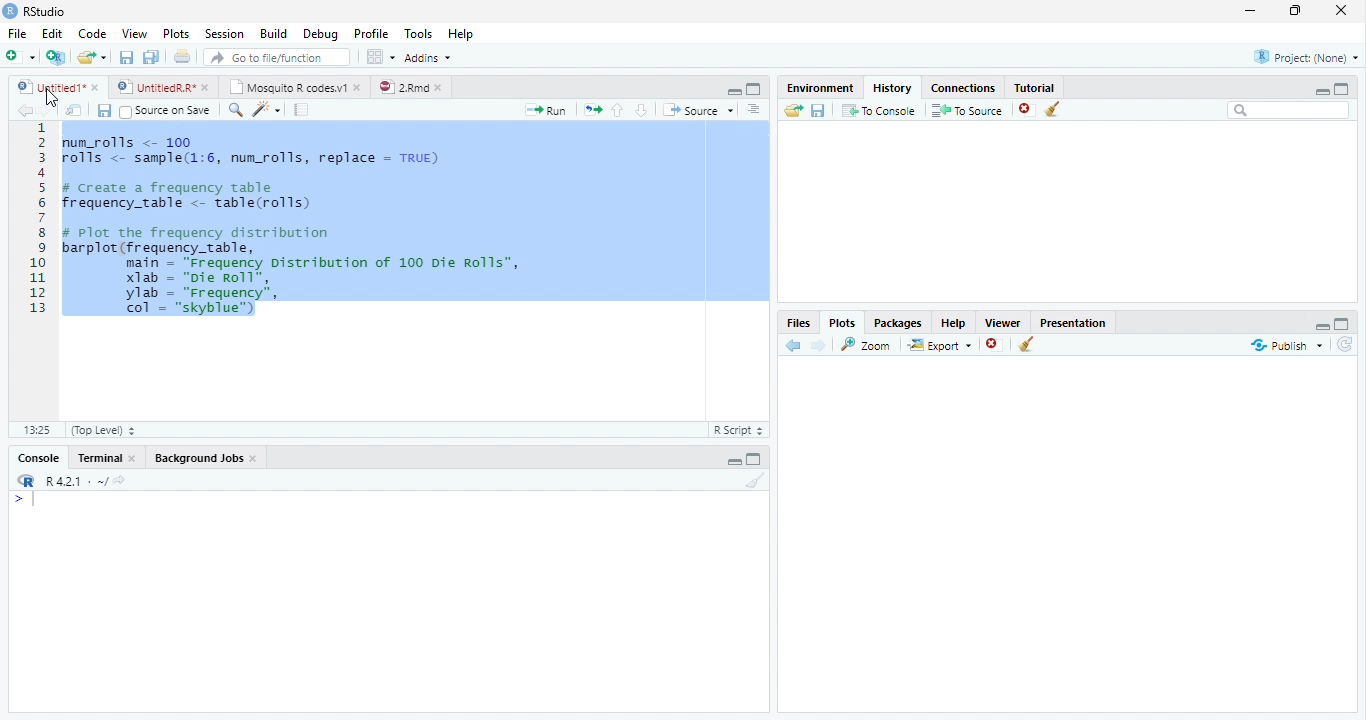 The width and height of the screenshot is (1366, 720). What do you see at coordinates (374, 33) in the screenshot?
I see `Profile` at bounding box center [374, 33].